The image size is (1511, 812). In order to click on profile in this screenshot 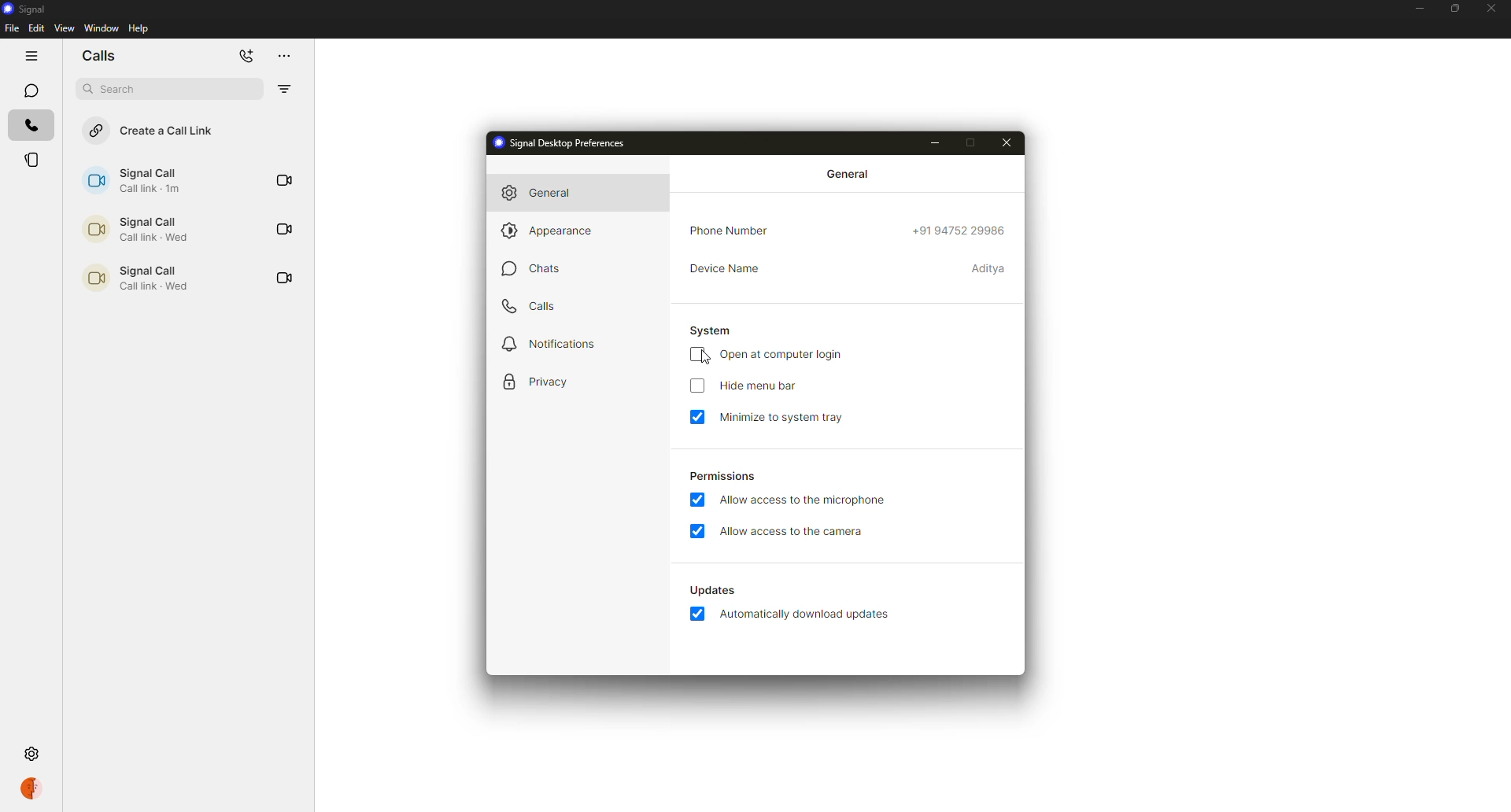, I will do `click(31, 790)`.